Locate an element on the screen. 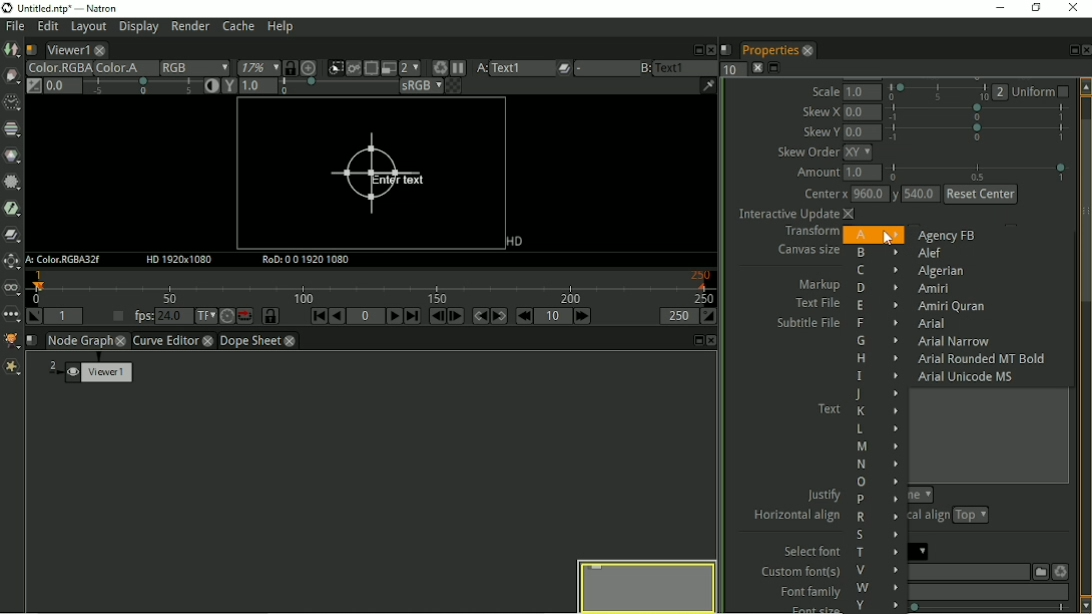 This screenshot has height=614, width=1092. P is located at coordinates (878, 500).